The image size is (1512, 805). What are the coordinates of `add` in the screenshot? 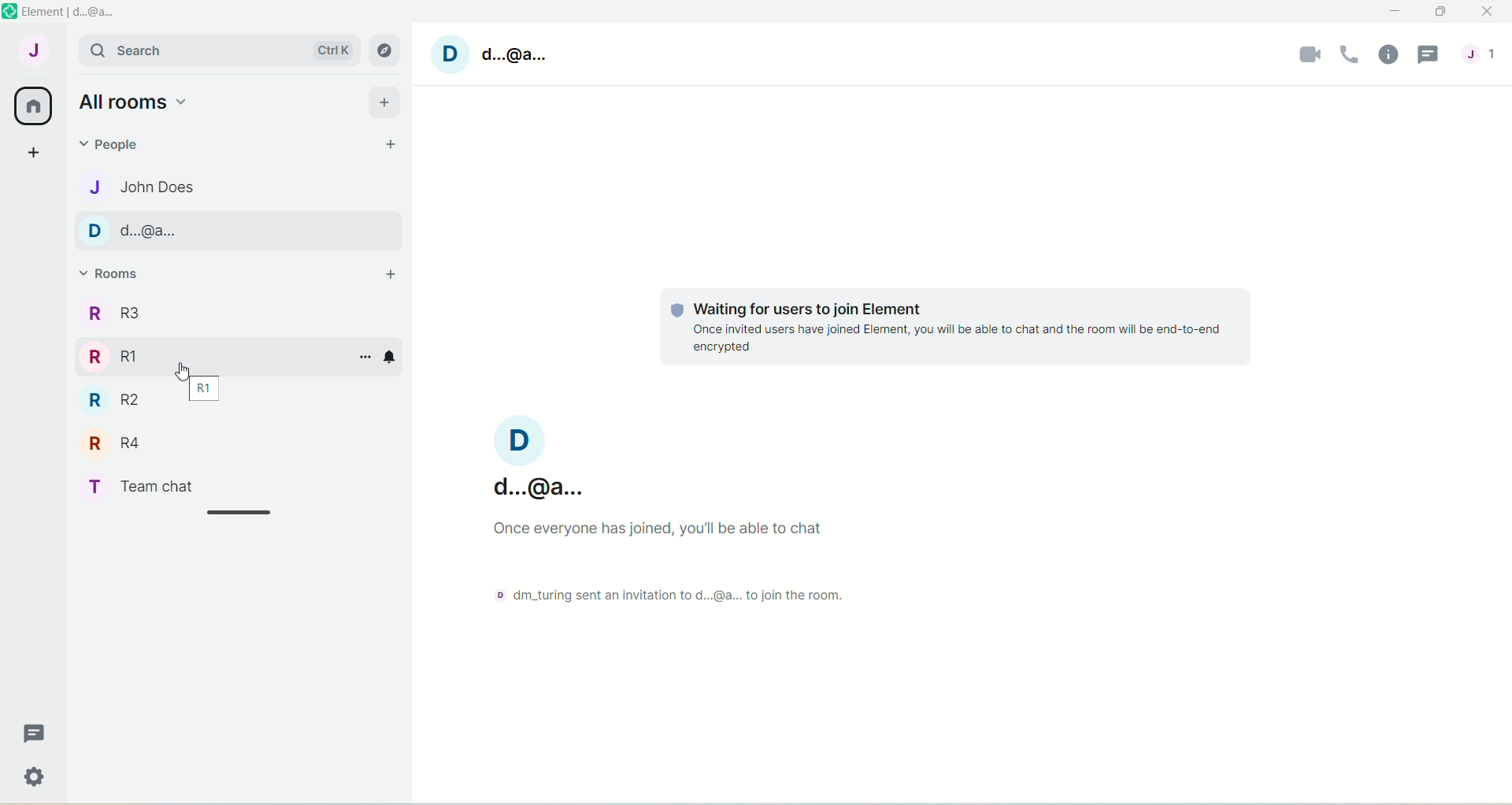 It's located at (391, 275).